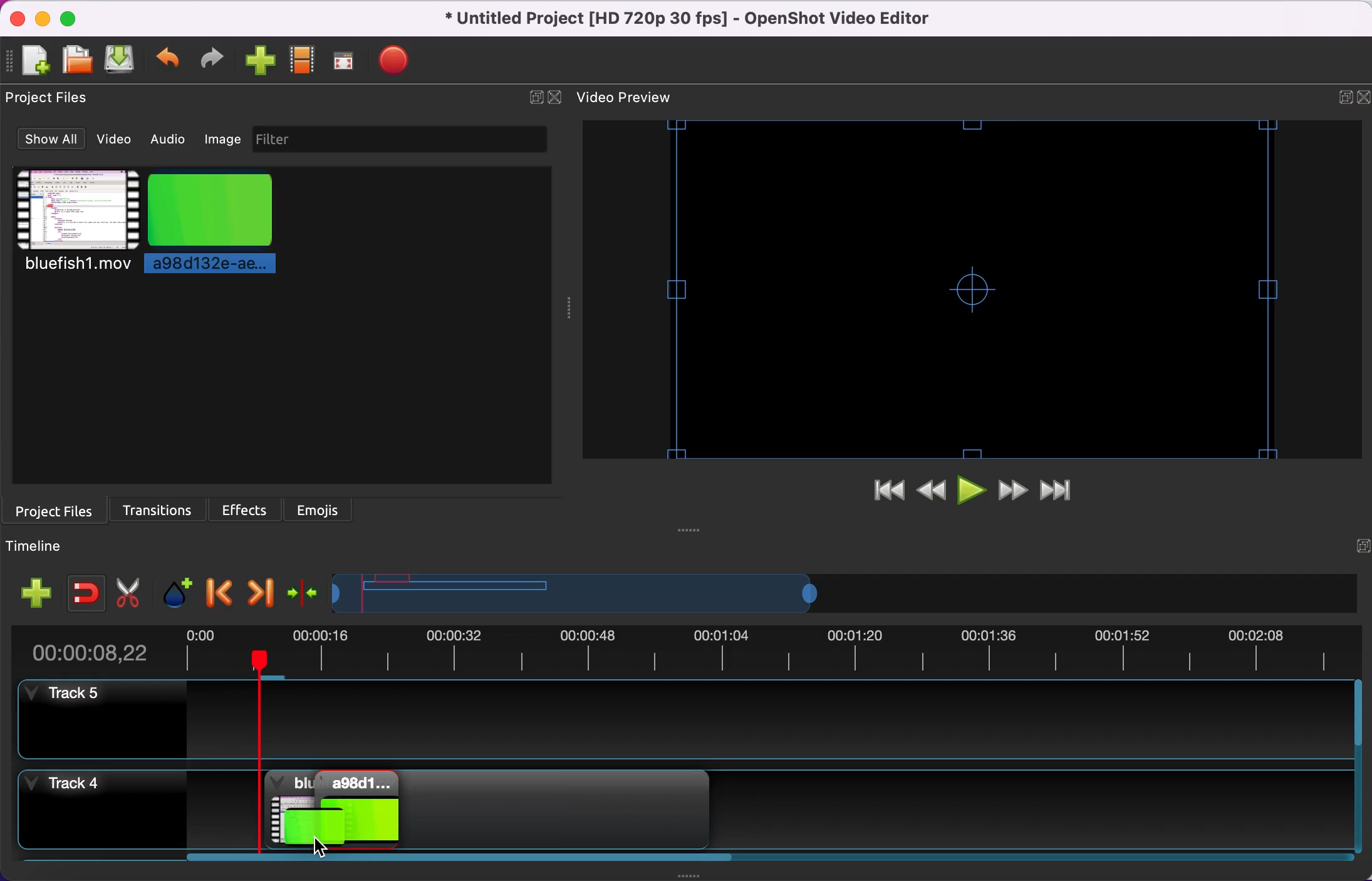 The height and width of the screenshot is (881, 1372). I want to click on add file, so click(29, 60).